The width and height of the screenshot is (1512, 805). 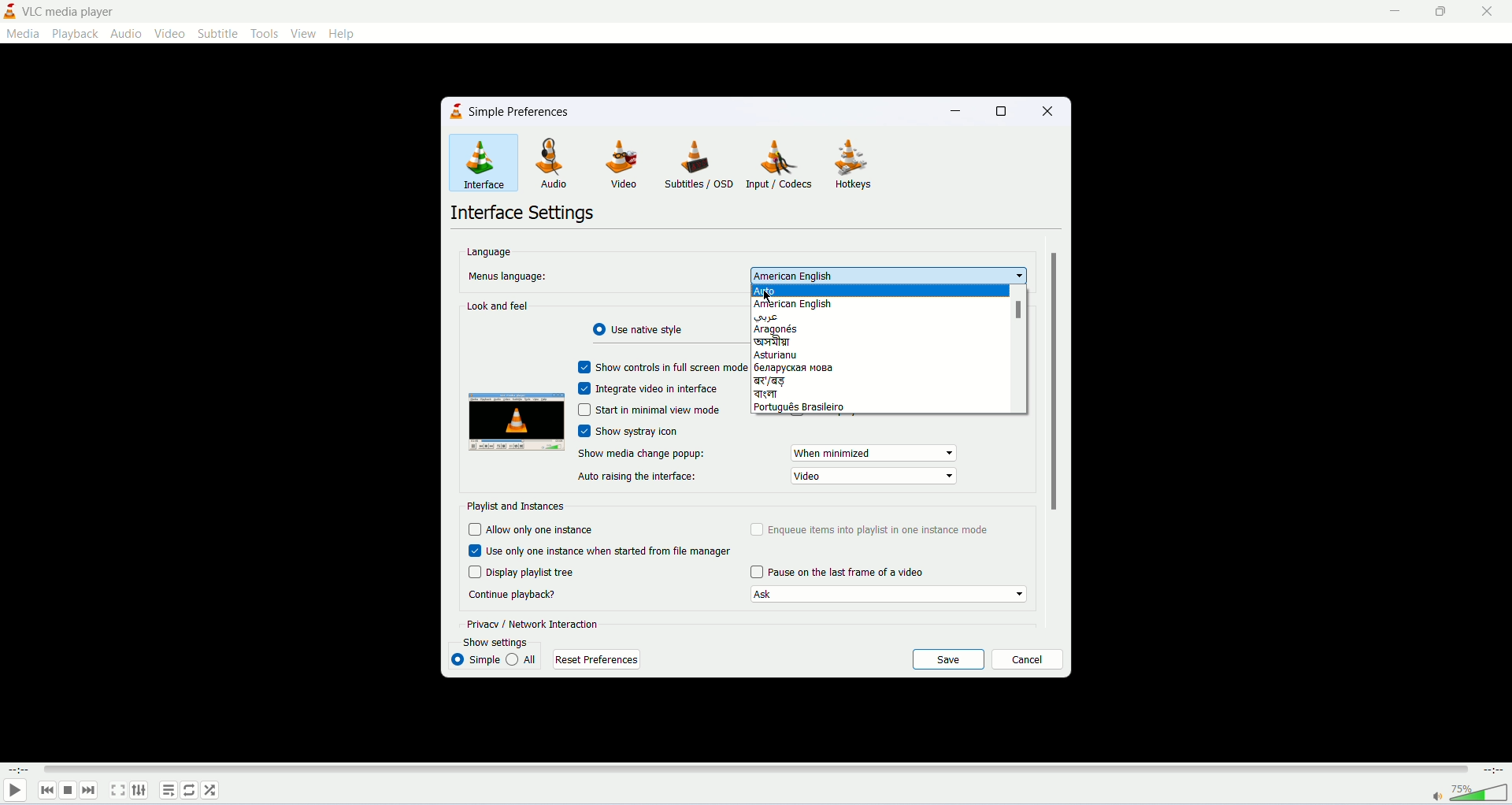 What do you see at coordinates (476, 658) in the screenshot?
I see `simple` at bounding box center [476, 658].